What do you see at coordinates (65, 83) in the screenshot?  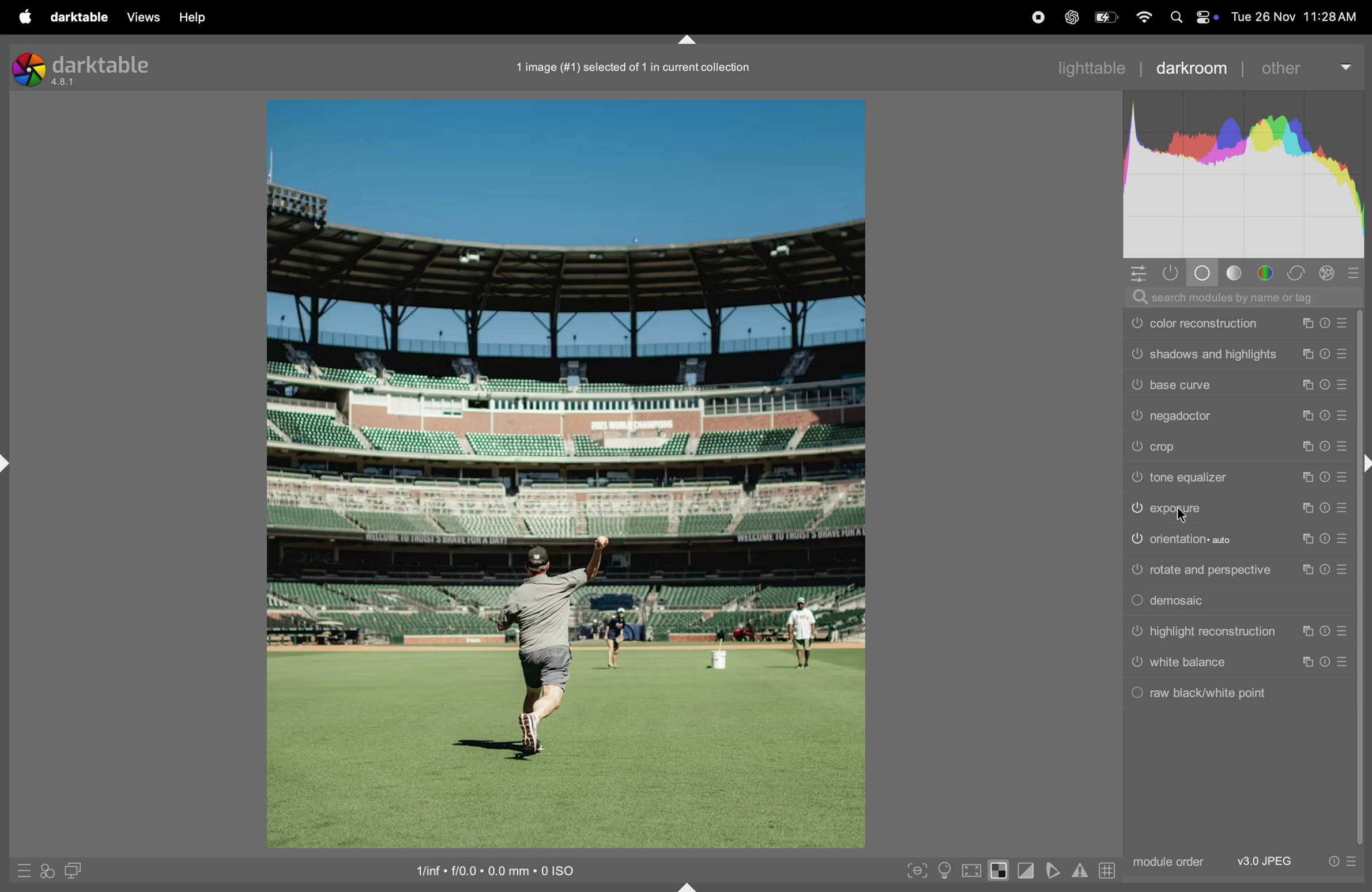 I see `version` at bounding box center [65, 83].